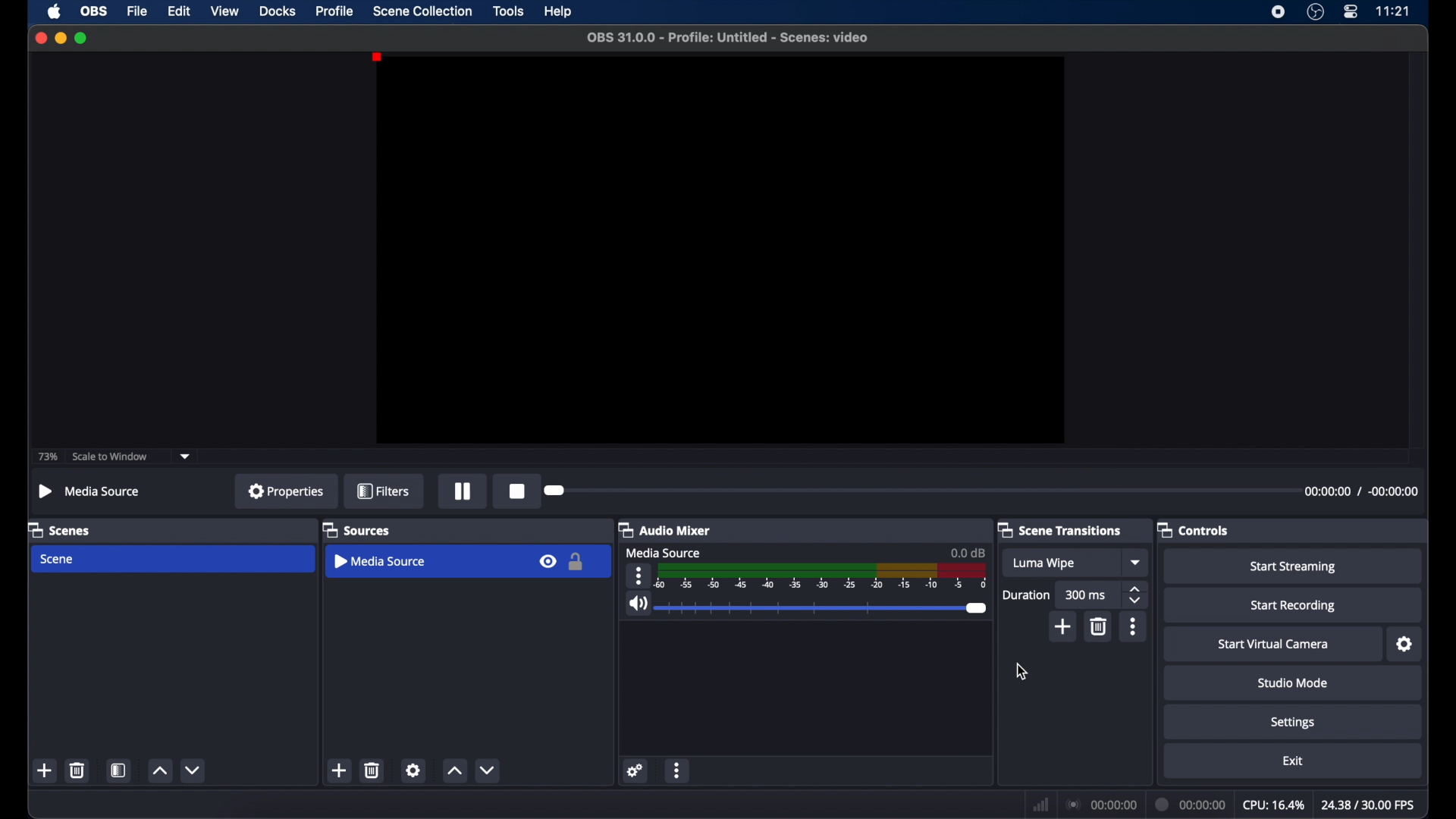  What do you see at coordinates (185, 457) in the screenshot?
I see `dropdown` at bounding box center [185, 457].